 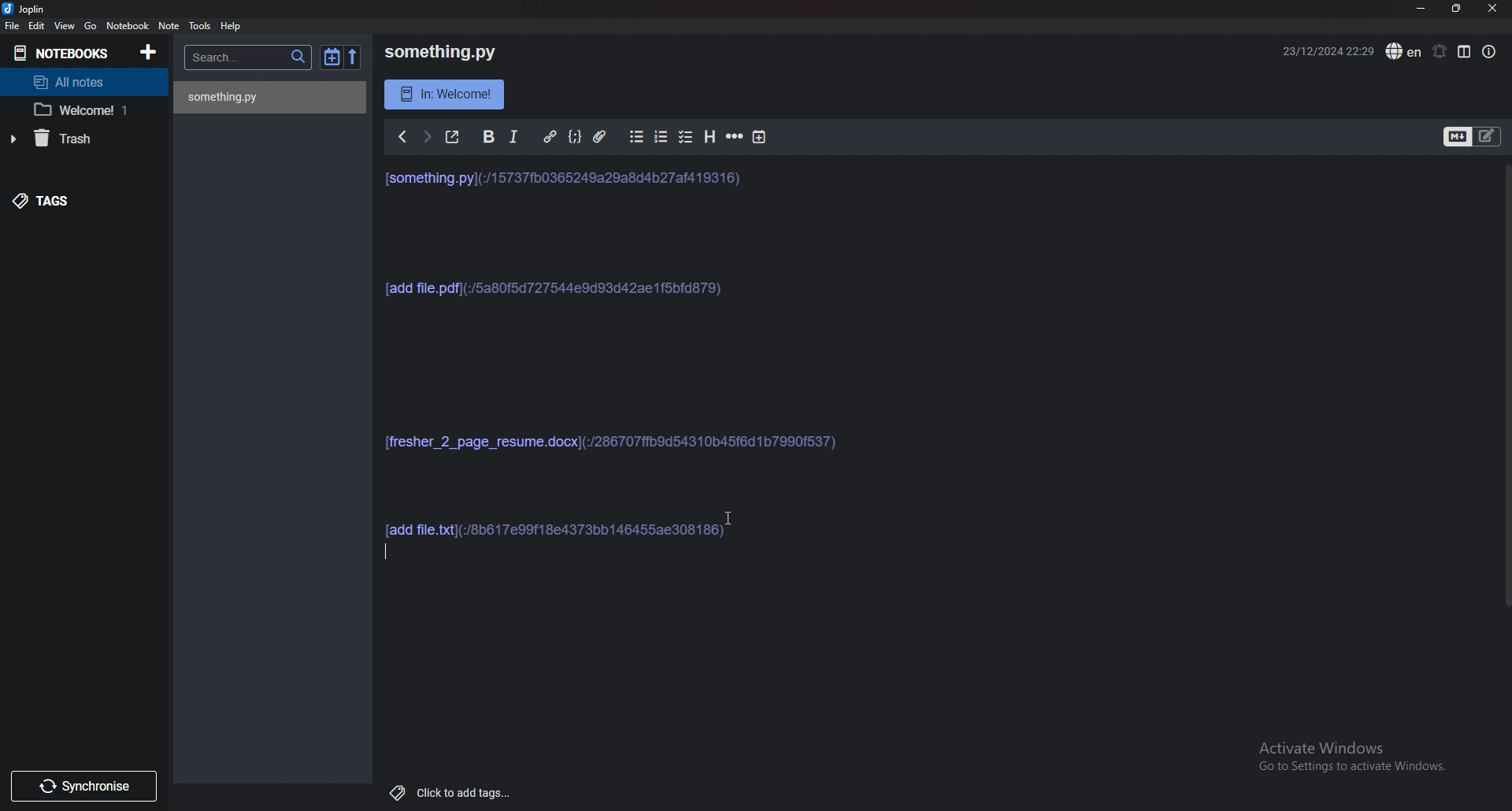 What do you see at coordinates (734, 517) in the screenshot?
I see `cursor` at bounding box center [734, 517].